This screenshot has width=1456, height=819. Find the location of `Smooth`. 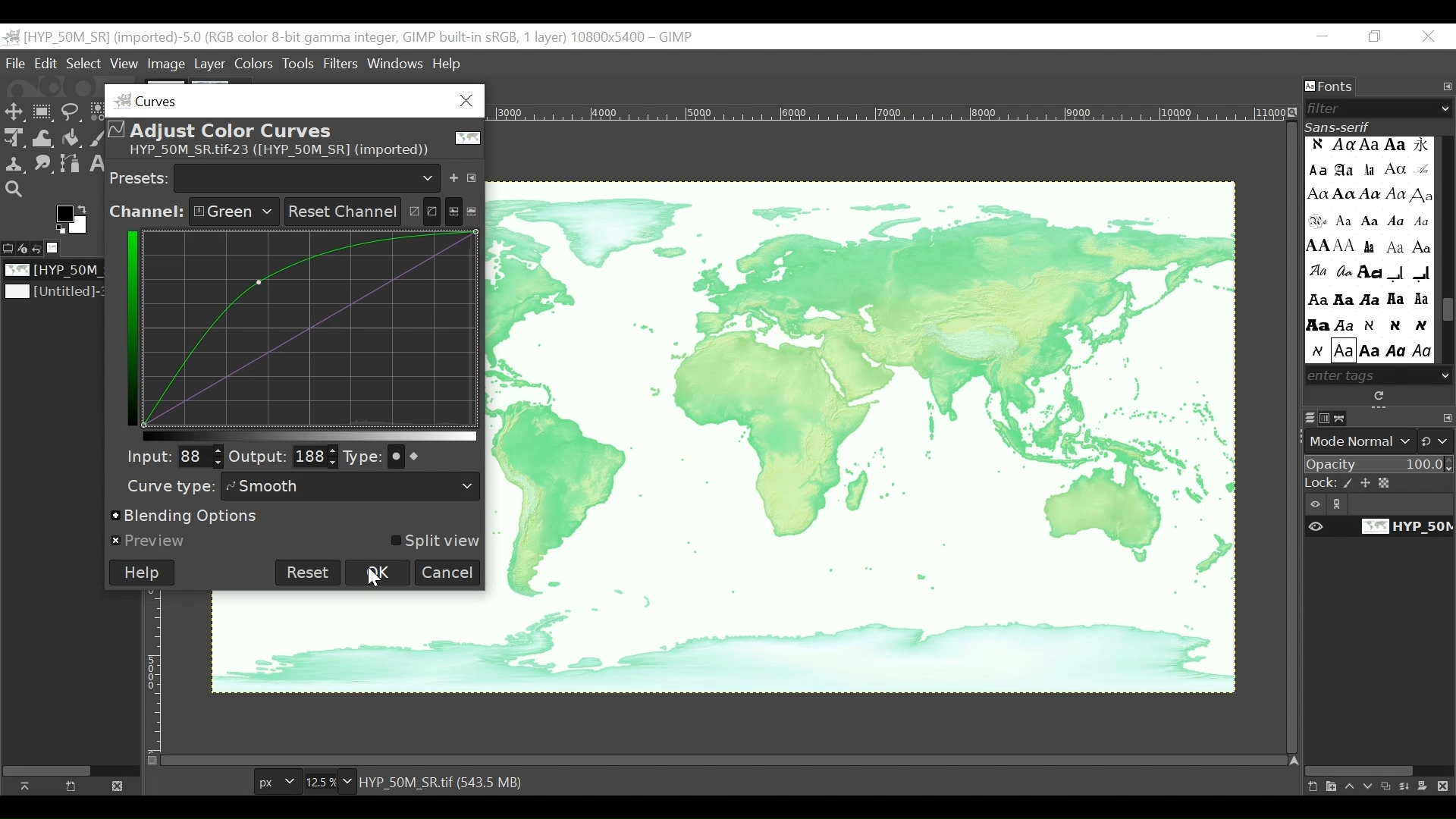

Smooth is located at coordinates (353, 487).